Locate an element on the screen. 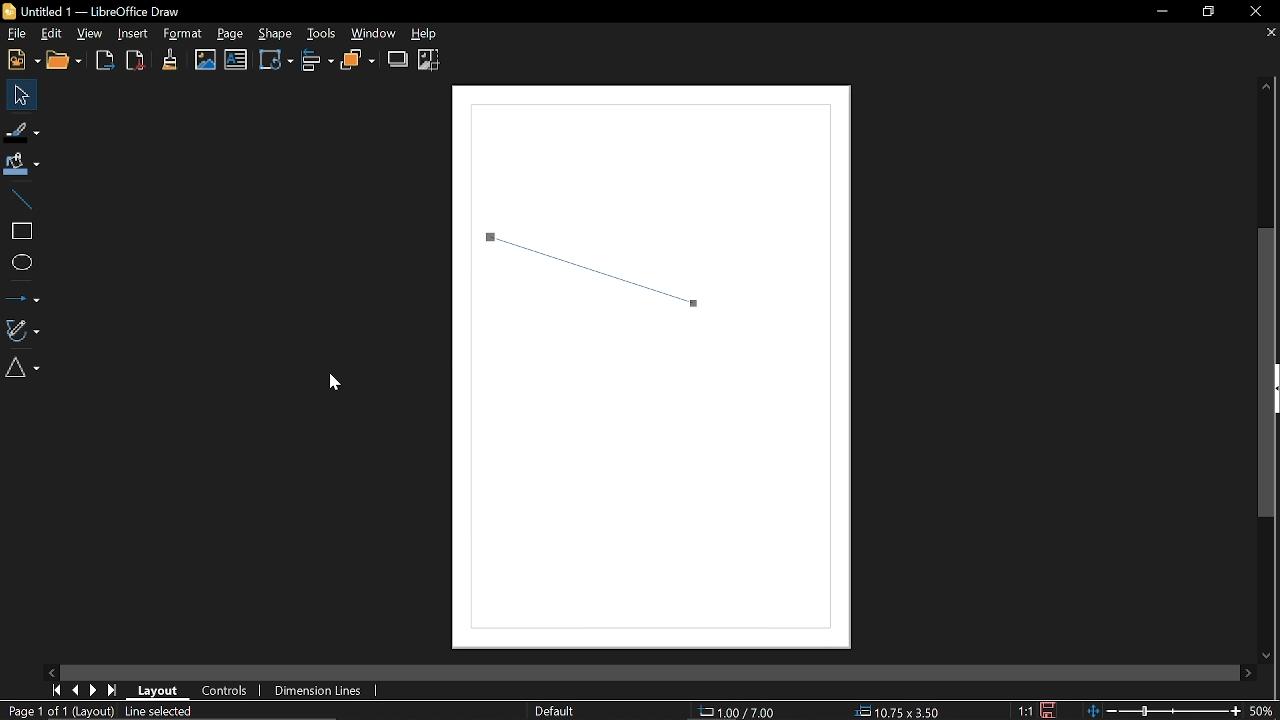 This screenshot has width=1280, height=720. First page is located at coordinates (56, 689).